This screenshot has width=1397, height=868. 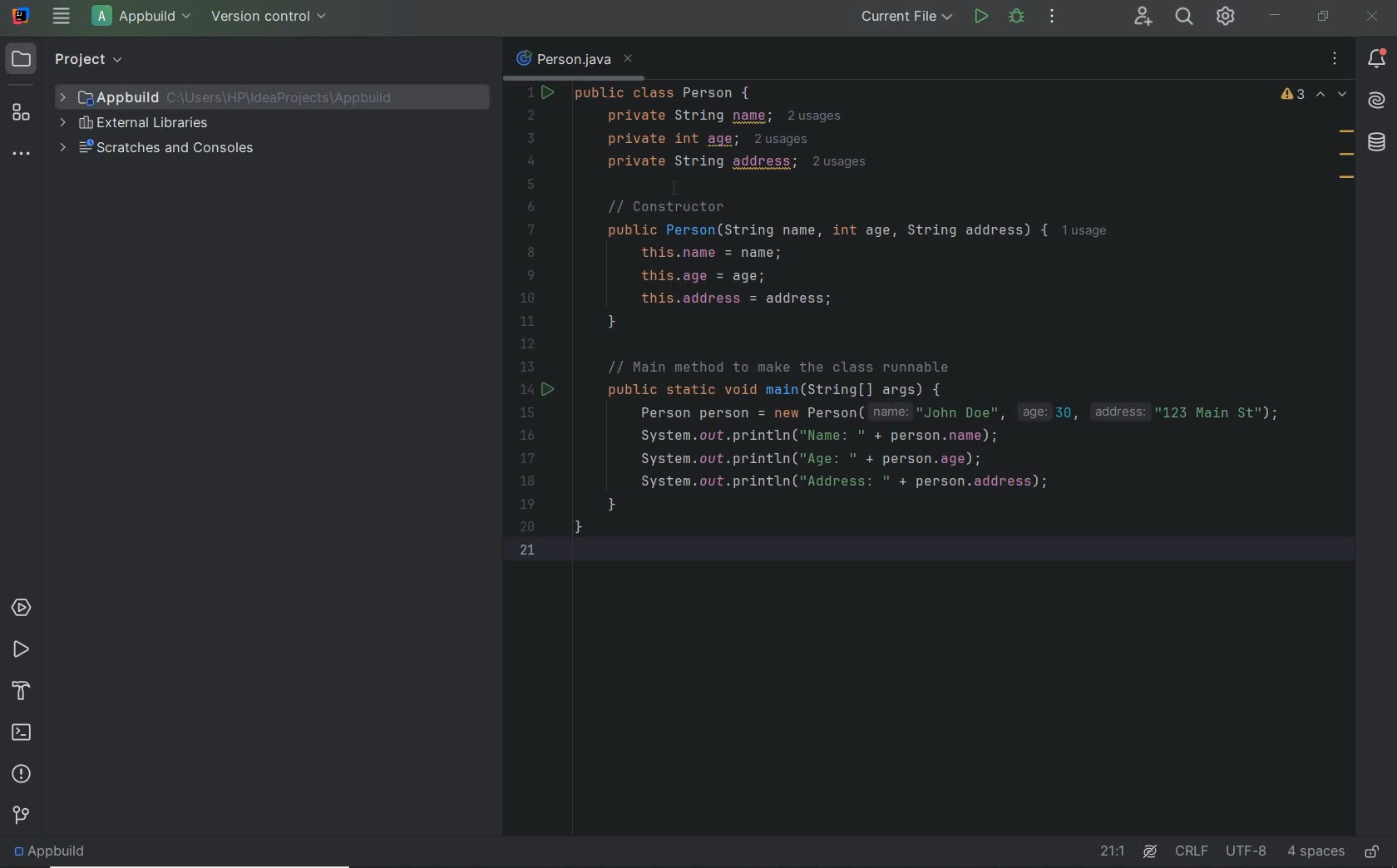 I want to click on run, so click(x=981, y=17).